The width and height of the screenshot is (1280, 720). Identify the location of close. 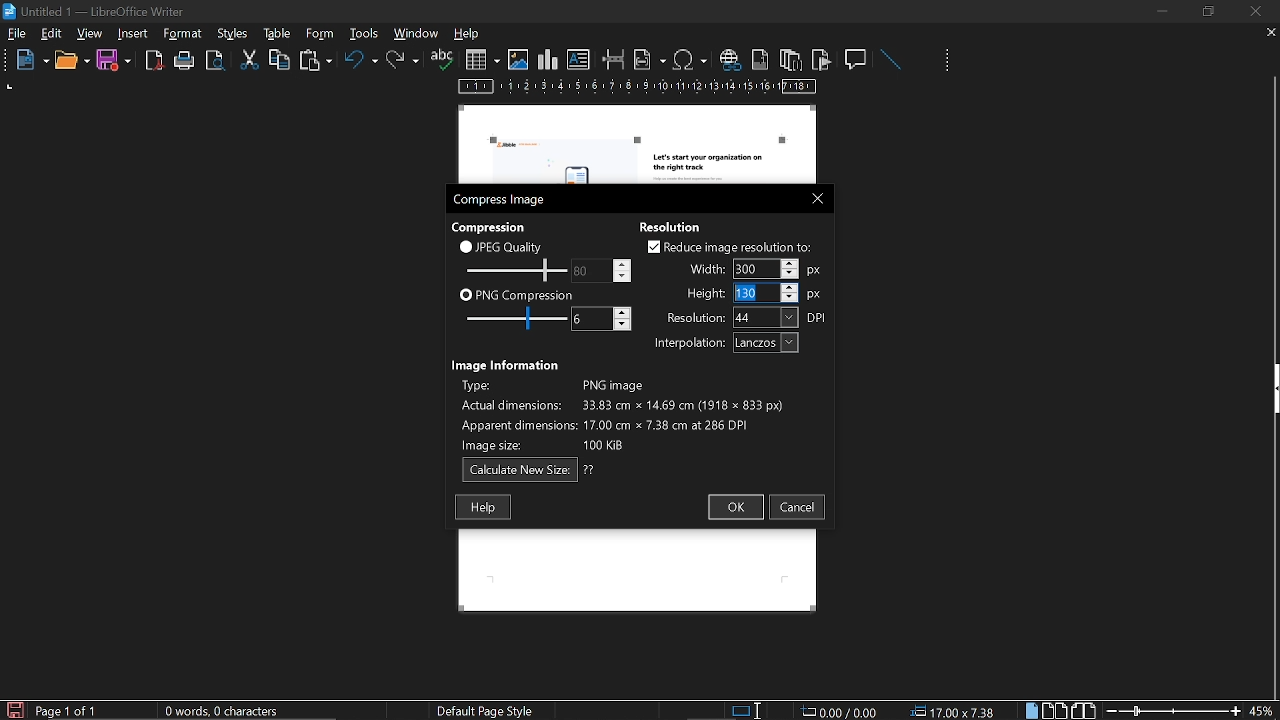
(1254, 11).